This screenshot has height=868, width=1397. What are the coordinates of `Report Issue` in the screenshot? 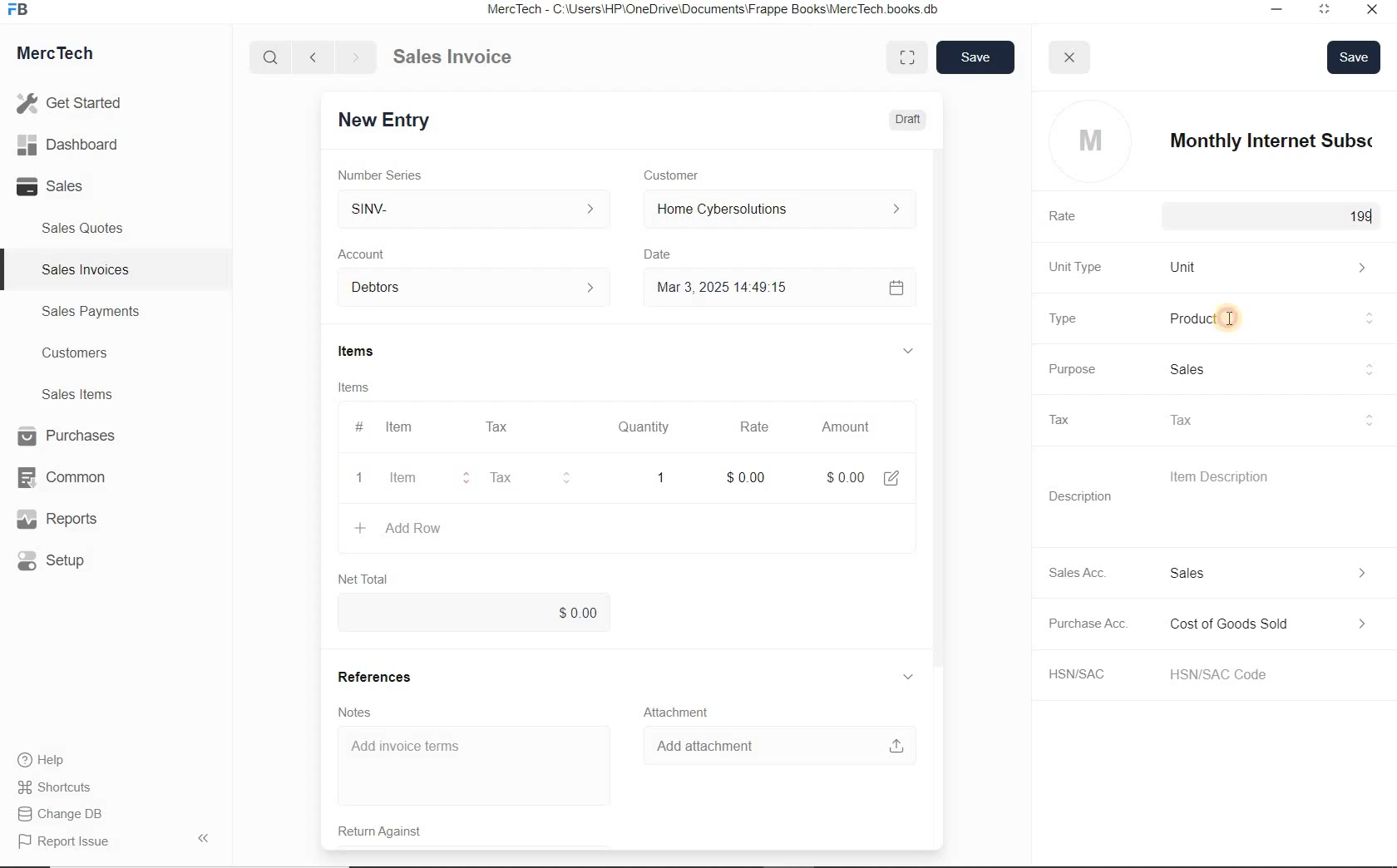 It's located at (67, 842).